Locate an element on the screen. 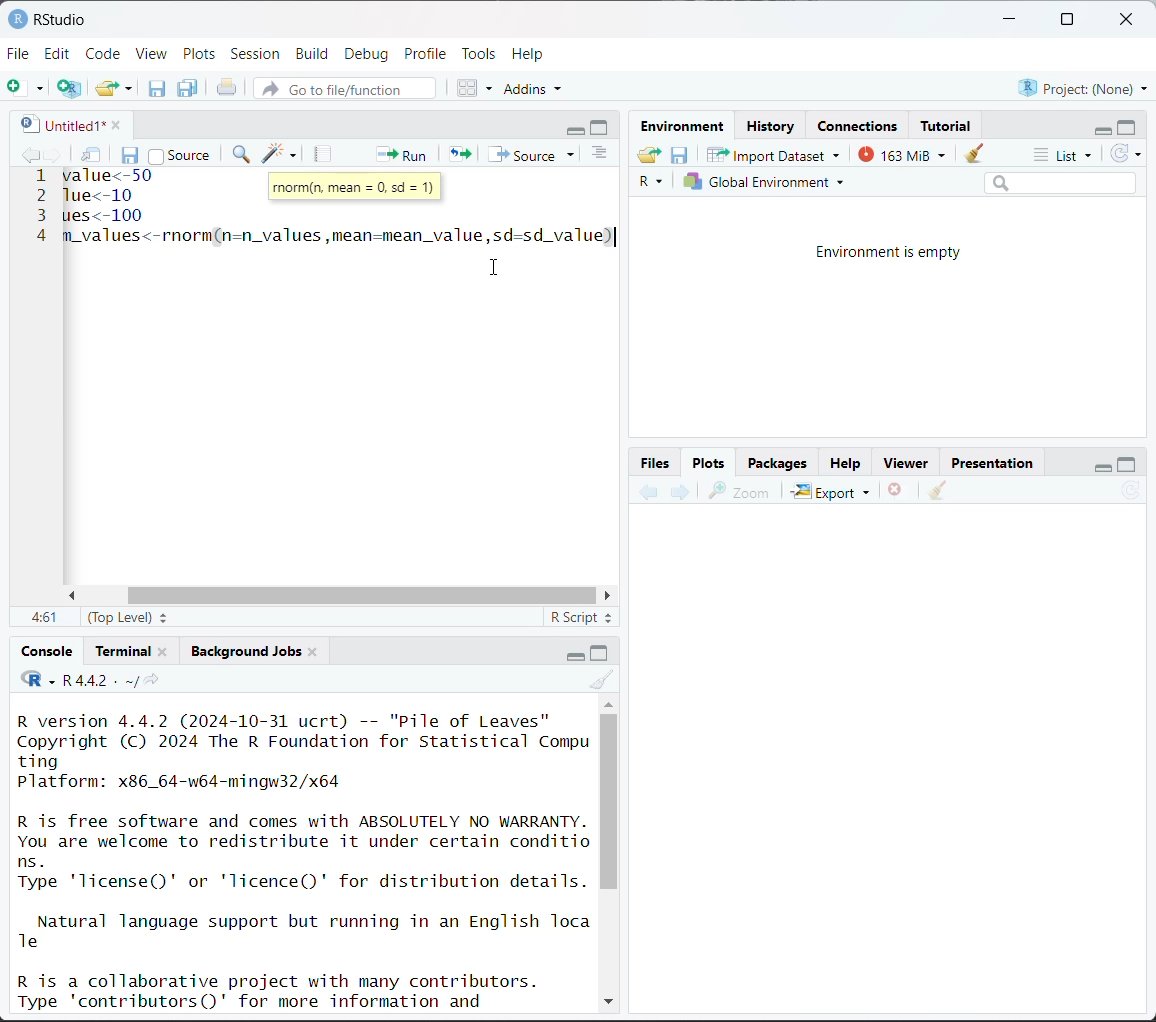 This screenshot has width=1156, height=1022. source is located at coordinates (179, 154).